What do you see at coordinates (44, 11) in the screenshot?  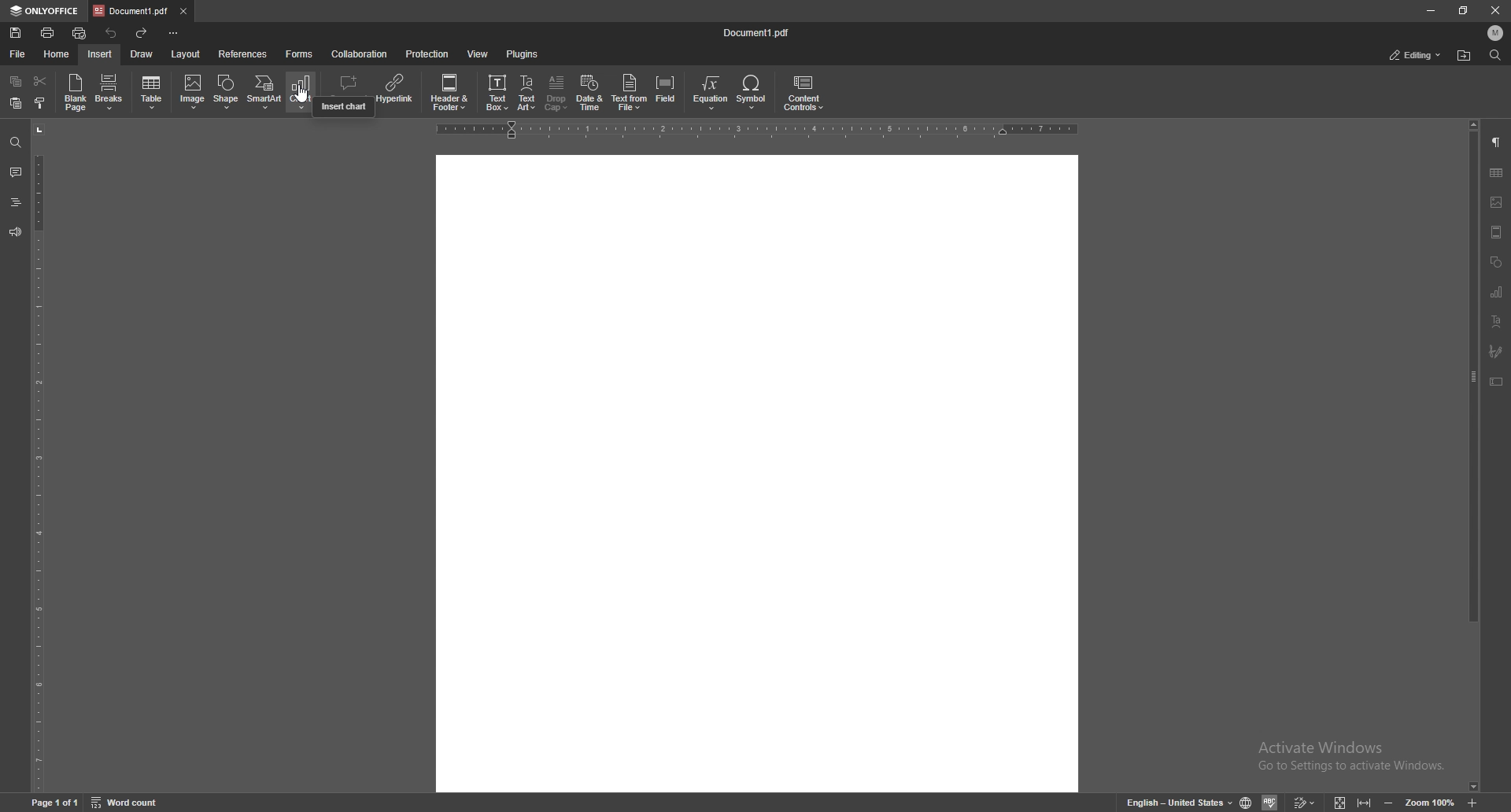 I see `onlyoffice` at bounding box center [44, 11].